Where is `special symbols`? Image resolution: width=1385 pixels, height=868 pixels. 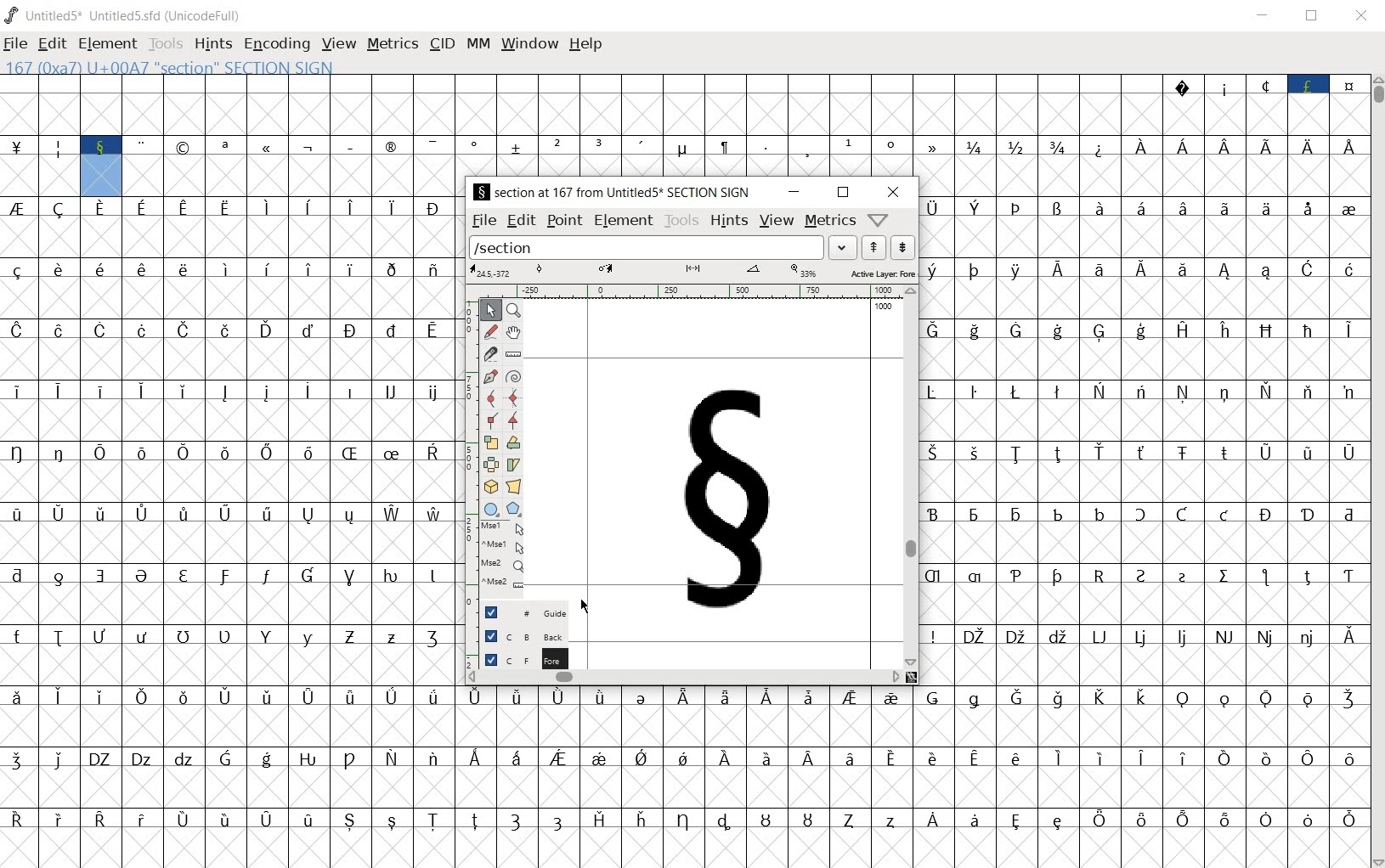 special symbols is located at coordinates (482, 148).